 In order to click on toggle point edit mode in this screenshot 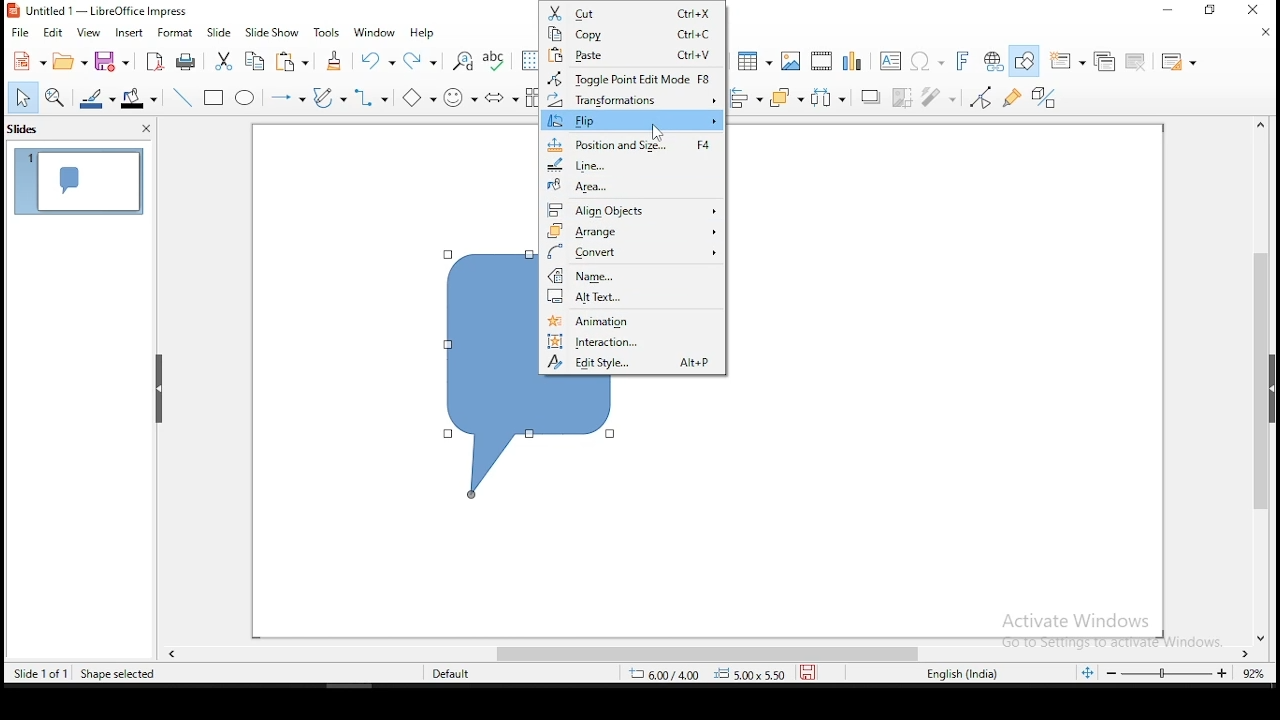, I will do `click(983, 98)`.